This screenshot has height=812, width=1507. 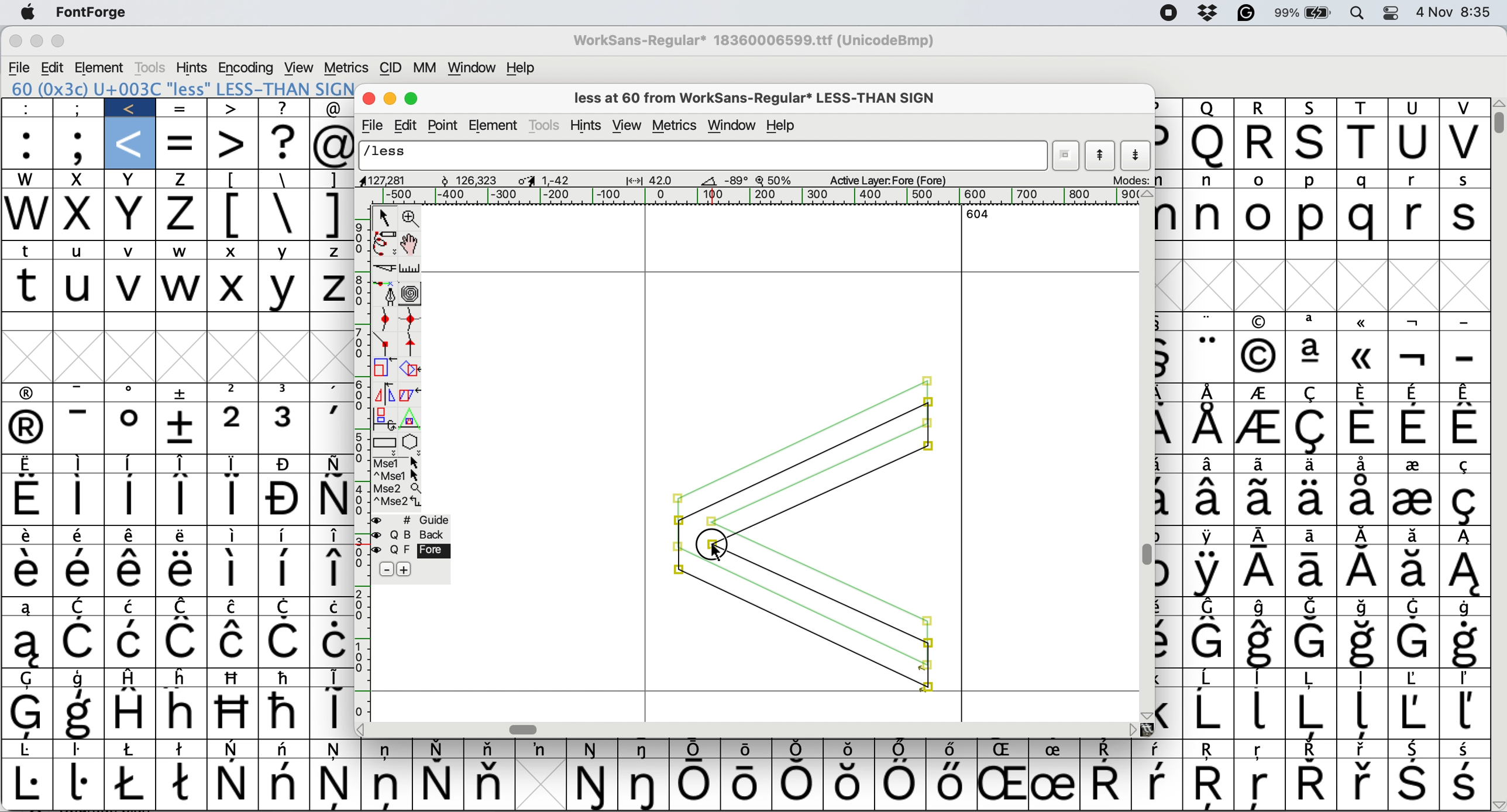 I want to click on close, so click(x=12, y=42).